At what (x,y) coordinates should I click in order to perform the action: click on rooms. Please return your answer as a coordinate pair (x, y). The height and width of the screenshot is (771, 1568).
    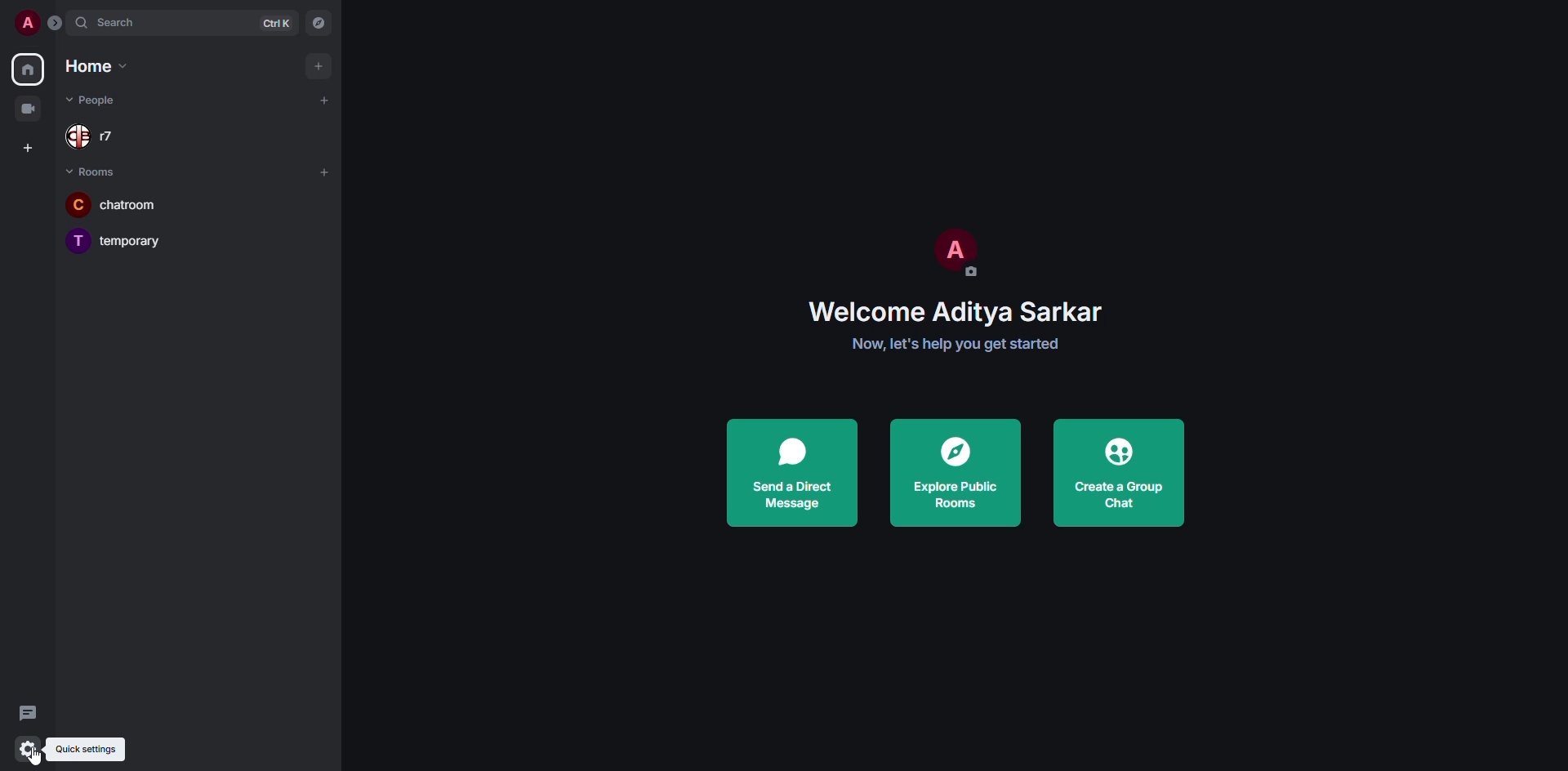
    Looking at the image, I should click on (93, 169).